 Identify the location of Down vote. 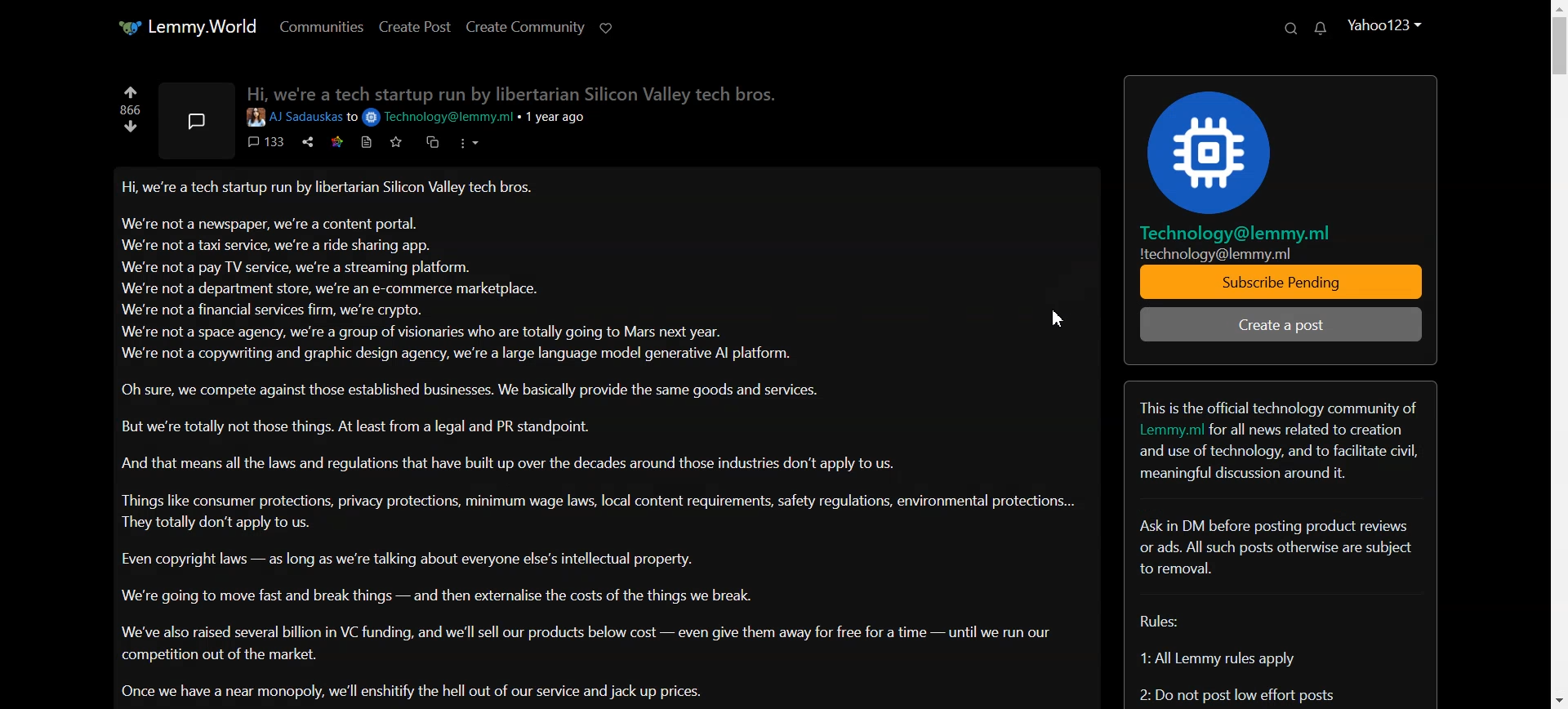
(131, 127).